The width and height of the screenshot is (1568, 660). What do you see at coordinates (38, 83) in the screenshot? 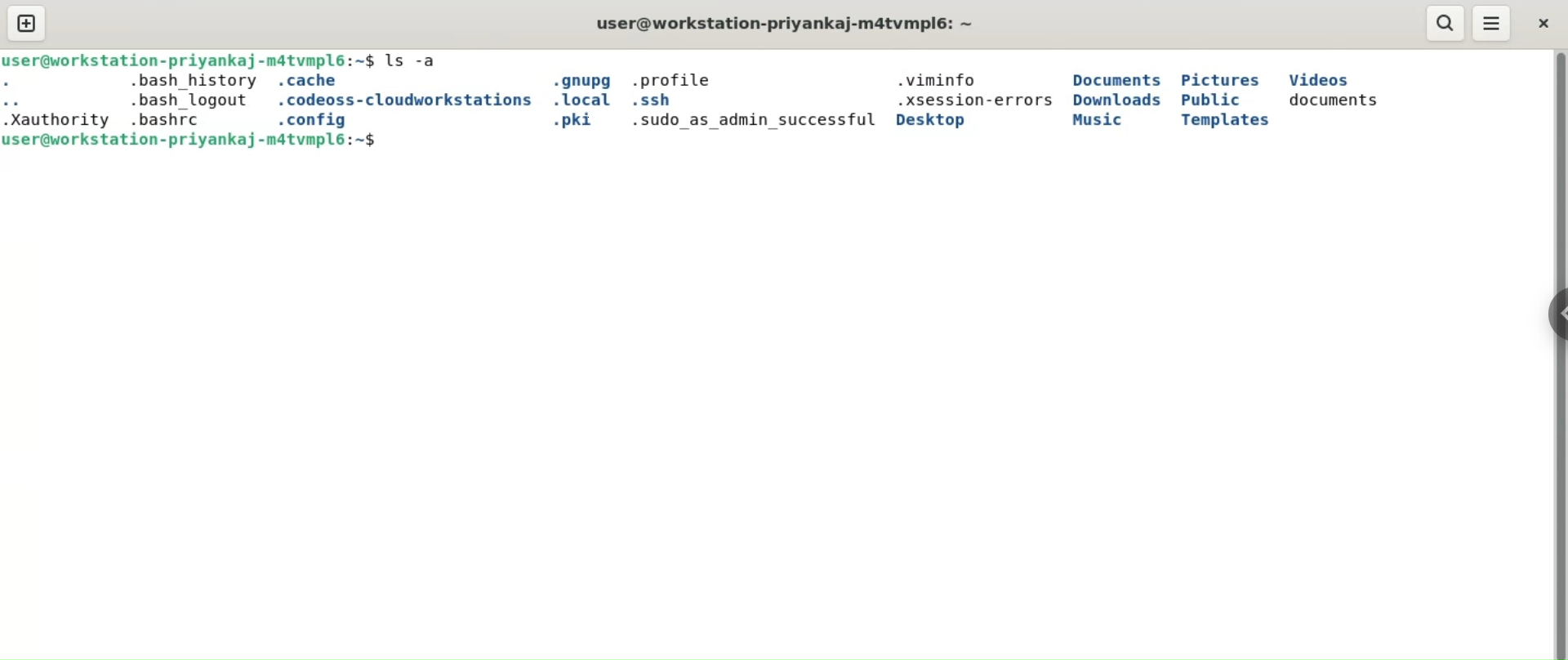
I see `.` at bounding box center [38, 83].